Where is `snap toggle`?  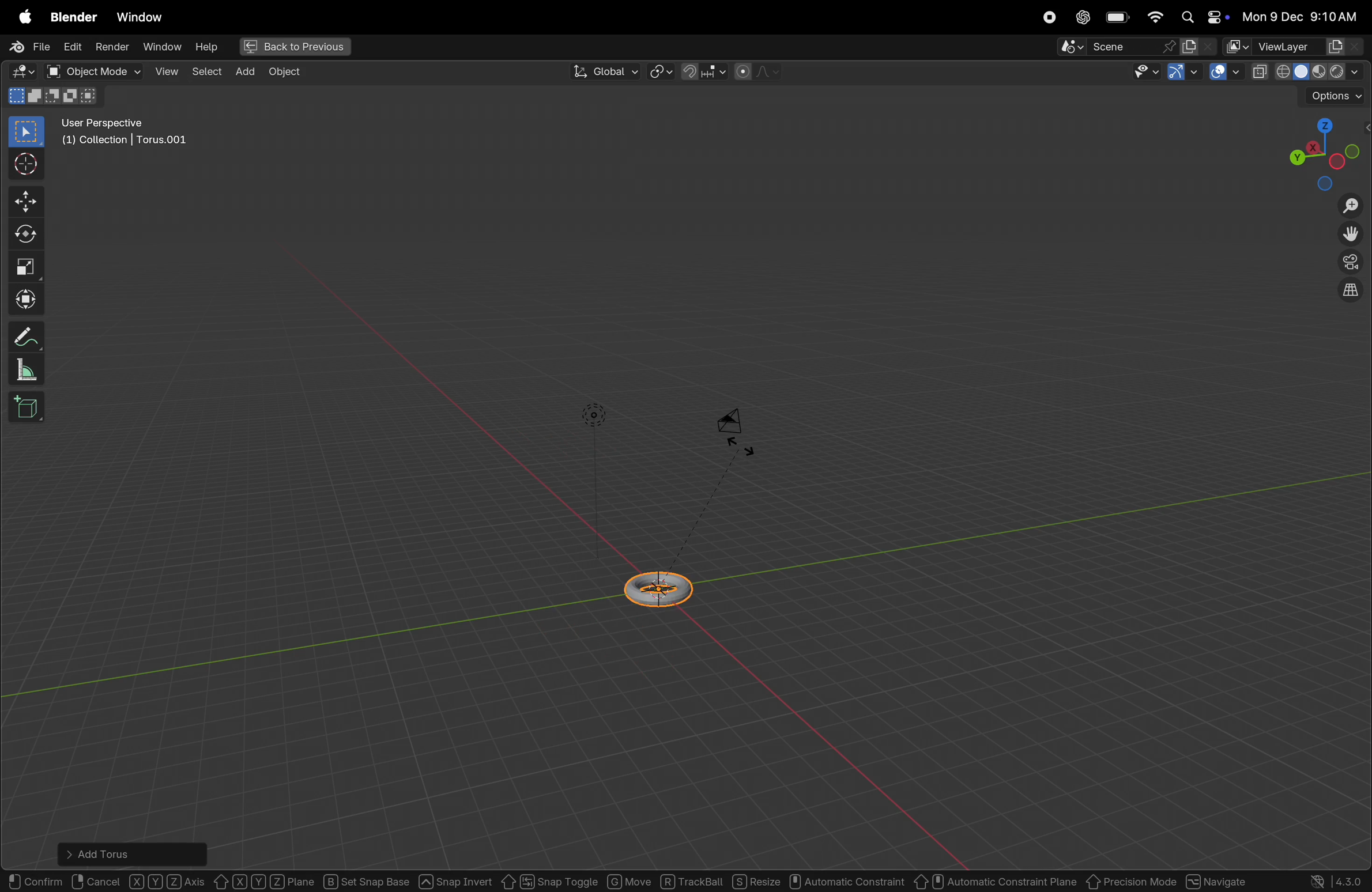
snap toggle is located at coordinates (548, 880).